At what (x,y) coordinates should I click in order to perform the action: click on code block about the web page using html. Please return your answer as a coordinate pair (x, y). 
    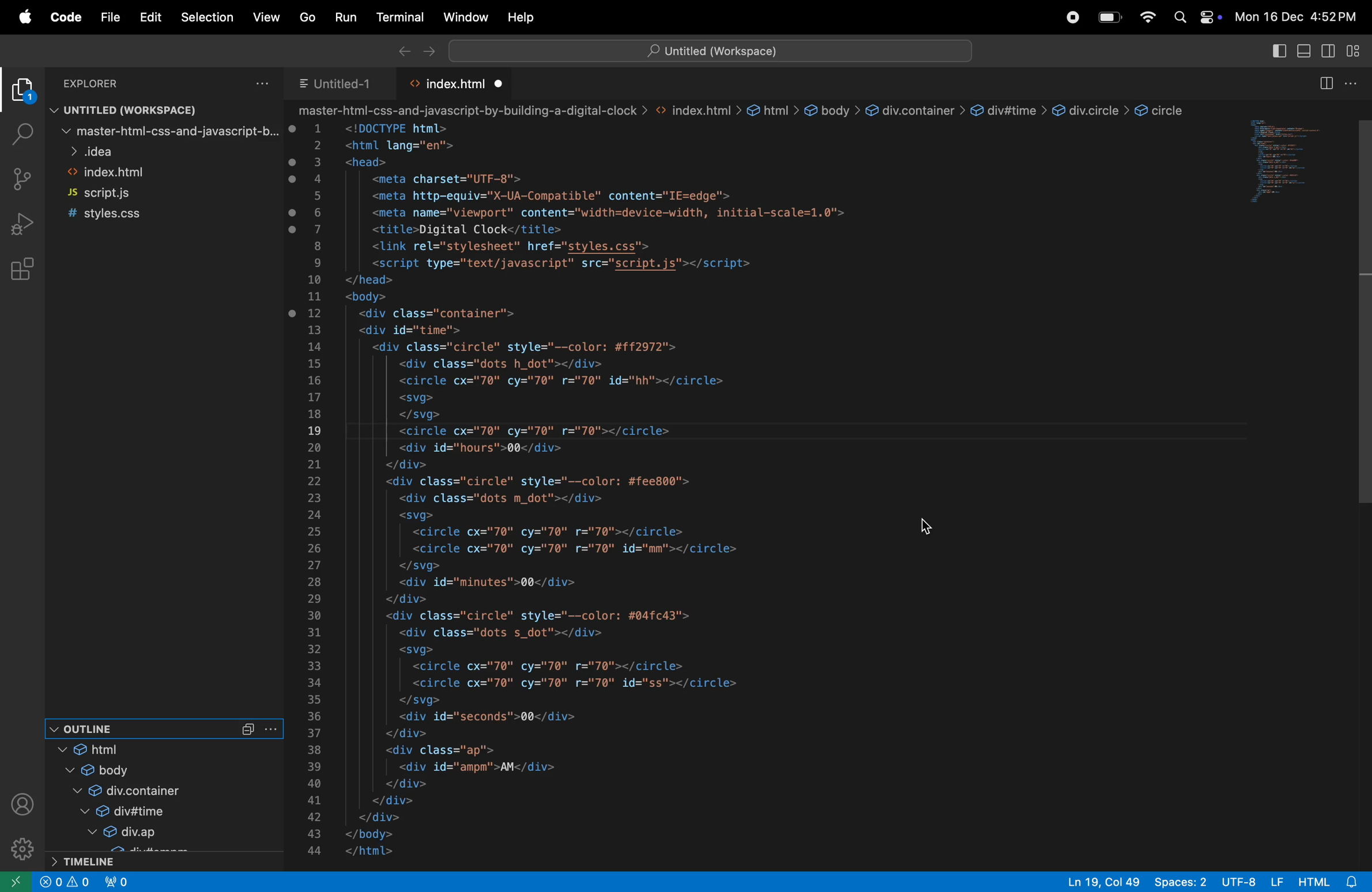
    Looking at the image, I should click on (747, 486).